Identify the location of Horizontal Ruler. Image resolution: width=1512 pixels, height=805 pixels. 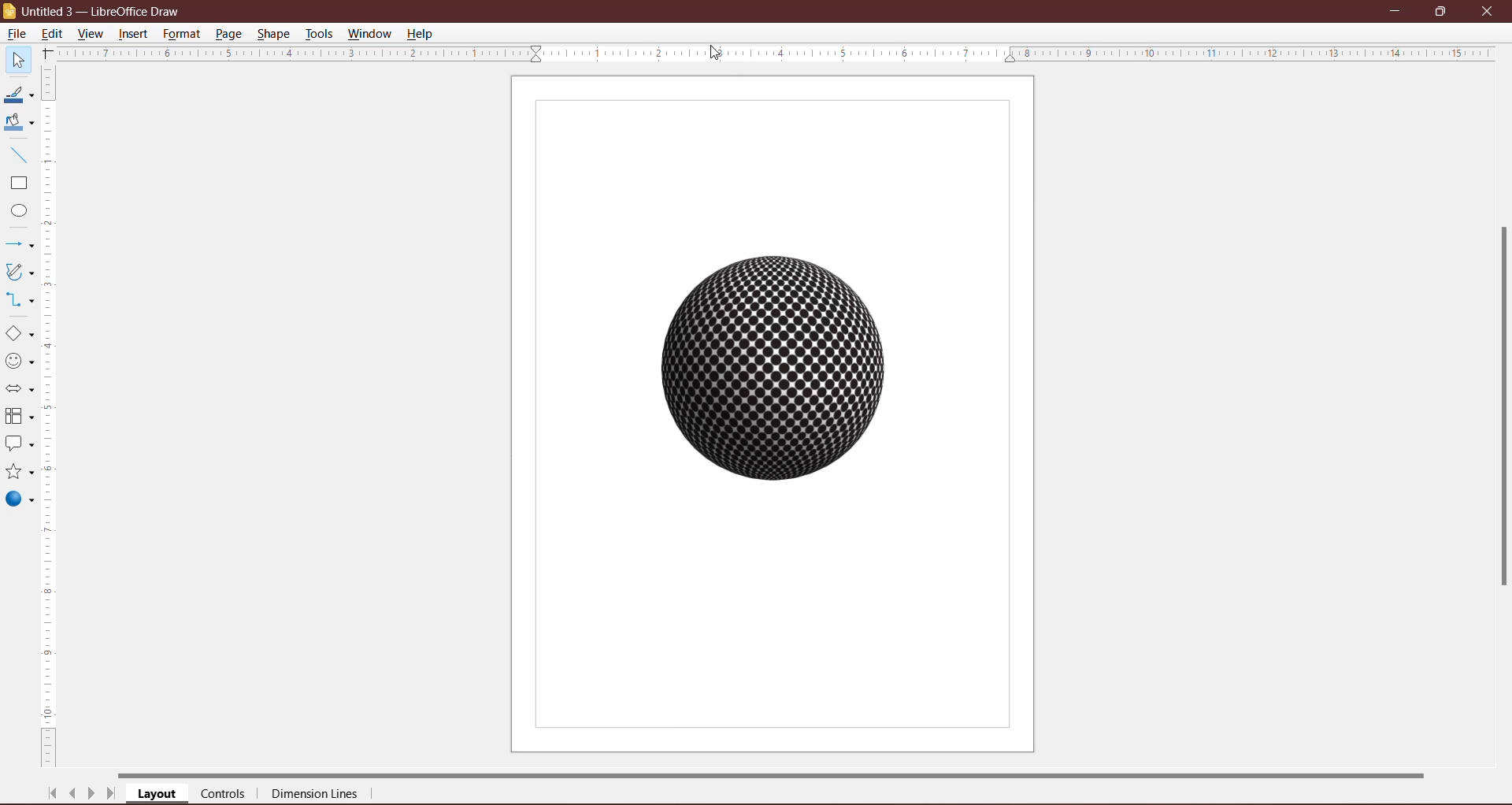
(776, 53).